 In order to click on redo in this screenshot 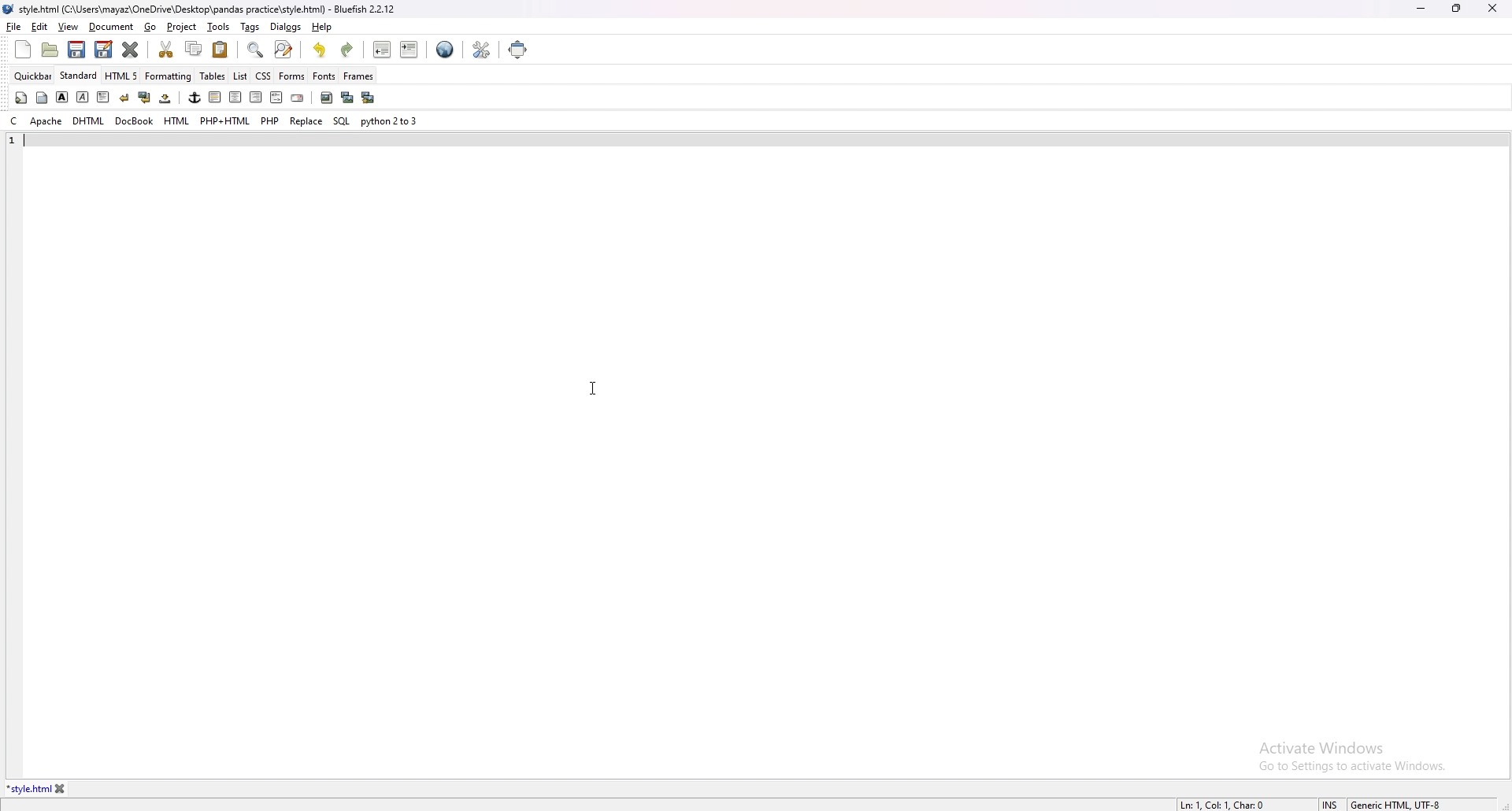, I will do `click(346, 50)`.